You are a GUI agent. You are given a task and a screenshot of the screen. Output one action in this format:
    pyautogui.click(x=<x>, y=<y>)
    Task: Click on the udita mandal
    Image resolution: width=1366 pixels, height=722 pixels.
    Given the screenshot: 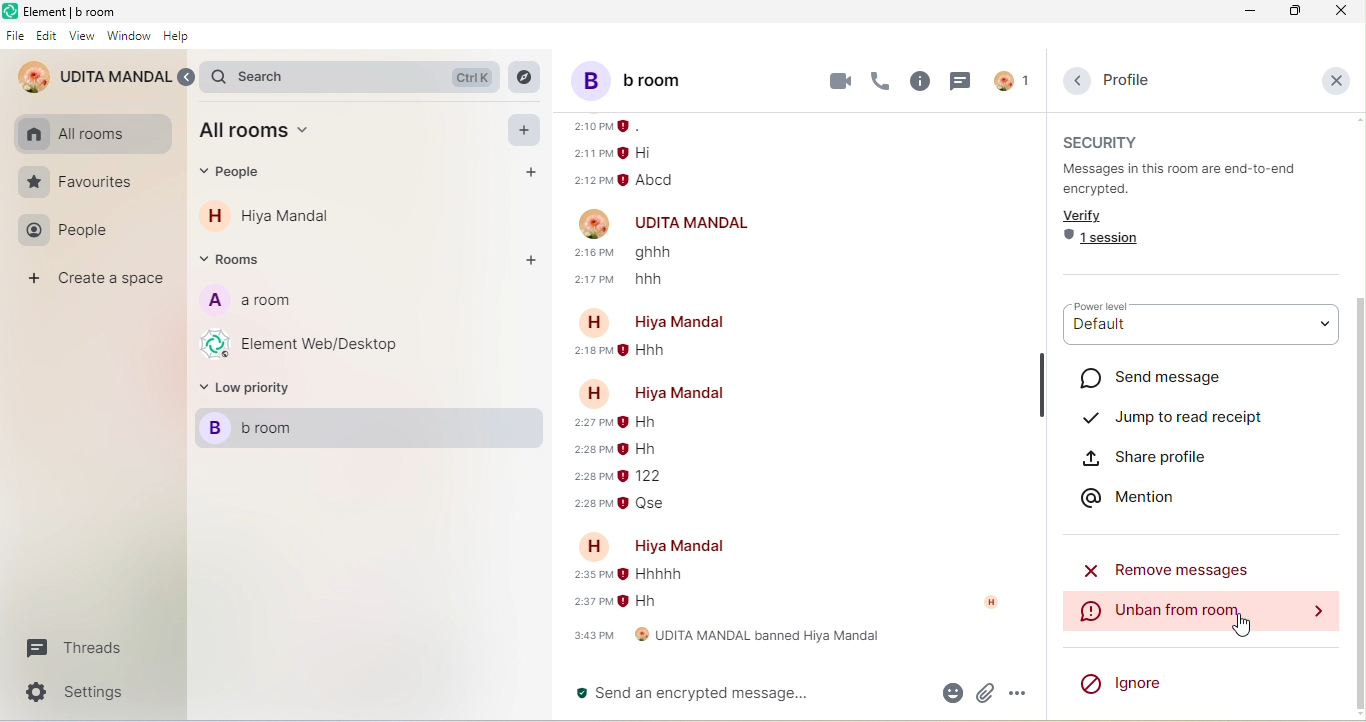 What is the action you would take?
    pyautogui.click(x=695, y=224)
    